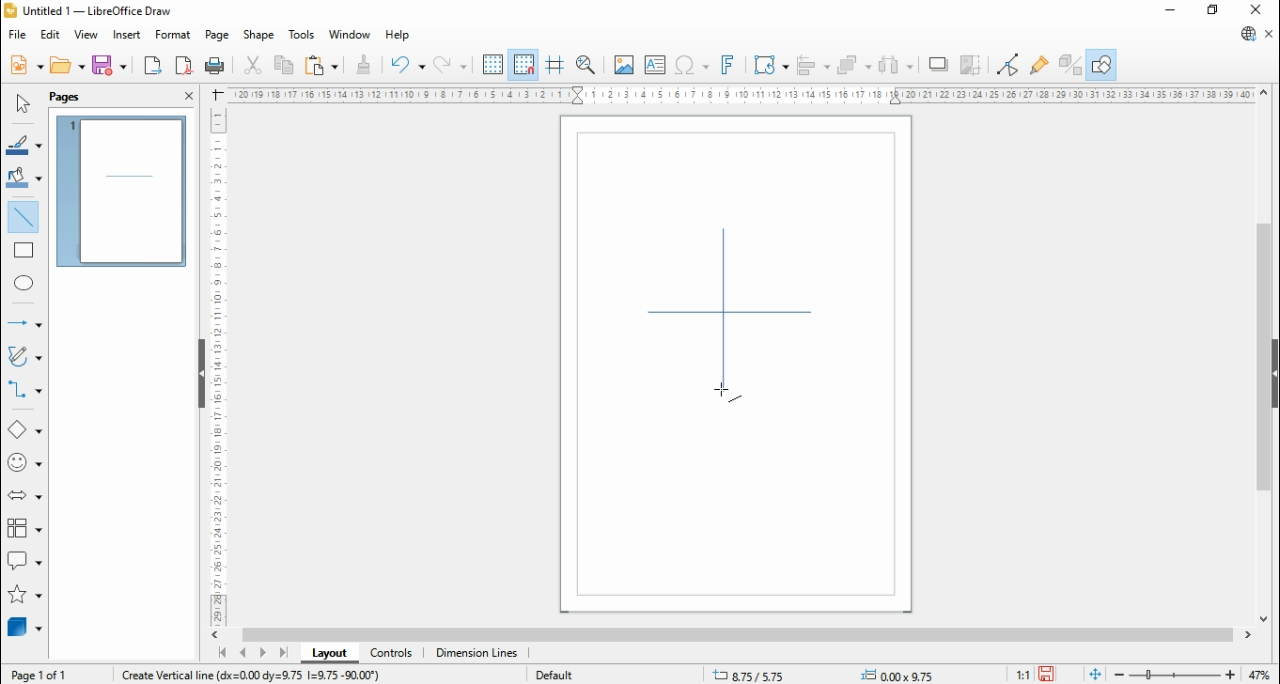 This screenshot has width=1280, height=684. I want to click on line color, so click(24, 145).